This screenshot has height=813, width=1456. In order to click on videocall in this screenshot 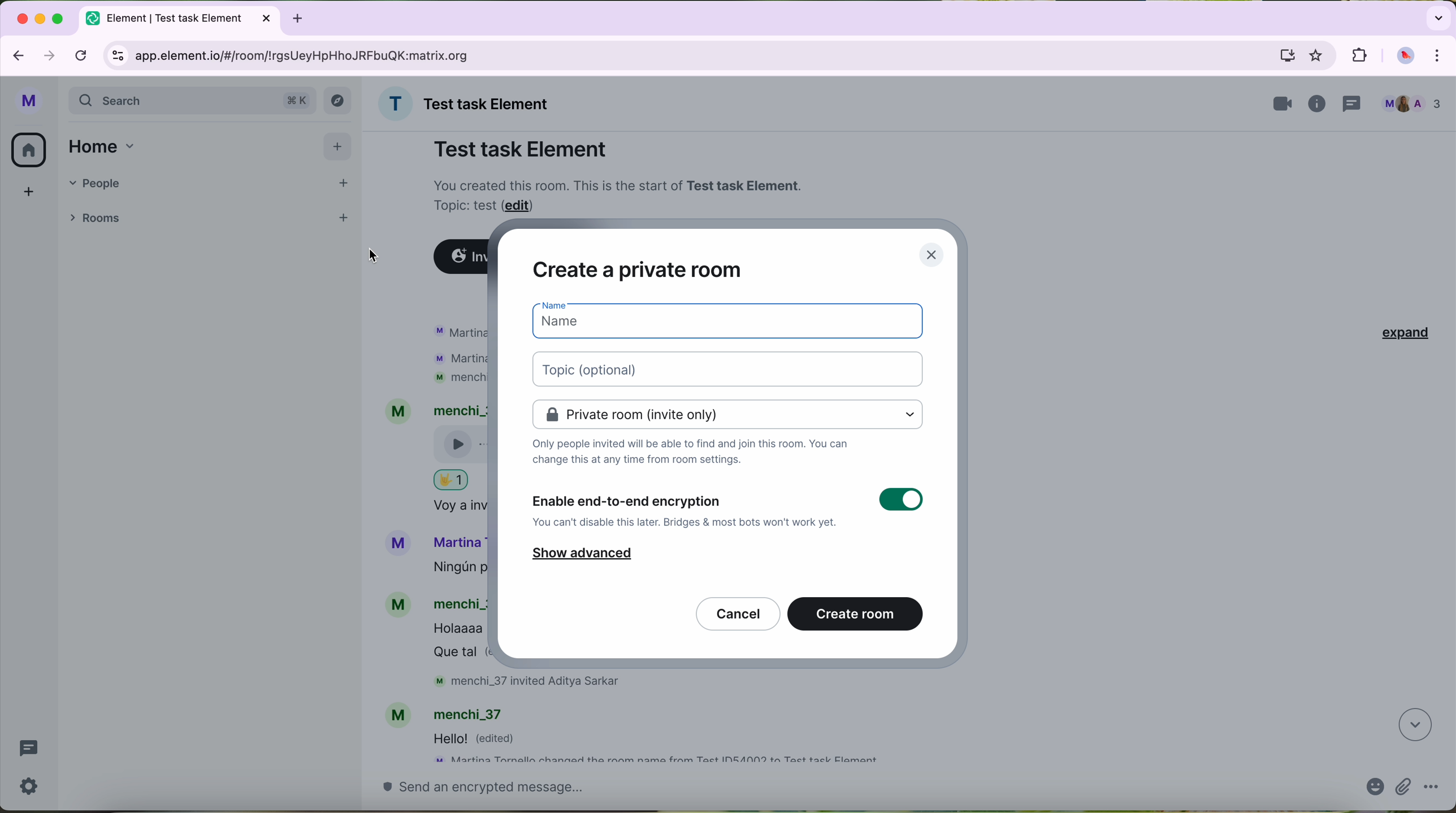, I will do `click(1283, 104)`.